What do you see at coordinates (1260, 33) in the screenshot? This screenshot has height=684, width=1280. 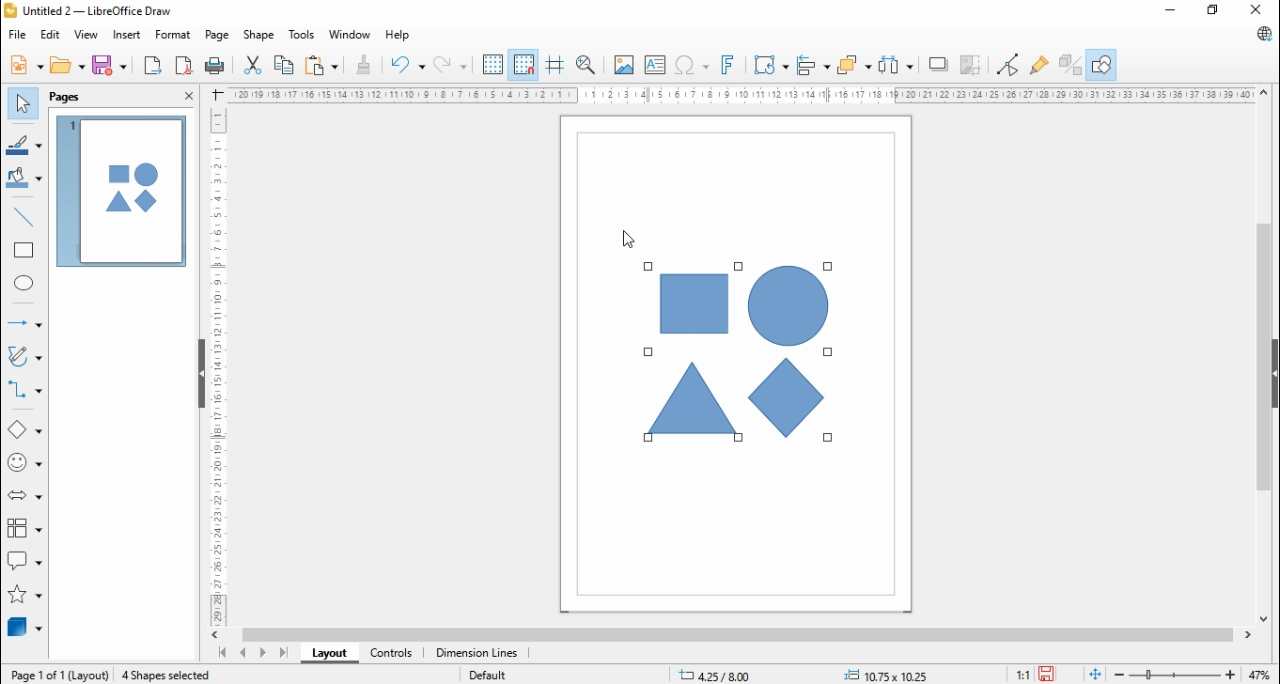 I see `libre office update` at bounding box center [1260, 33].